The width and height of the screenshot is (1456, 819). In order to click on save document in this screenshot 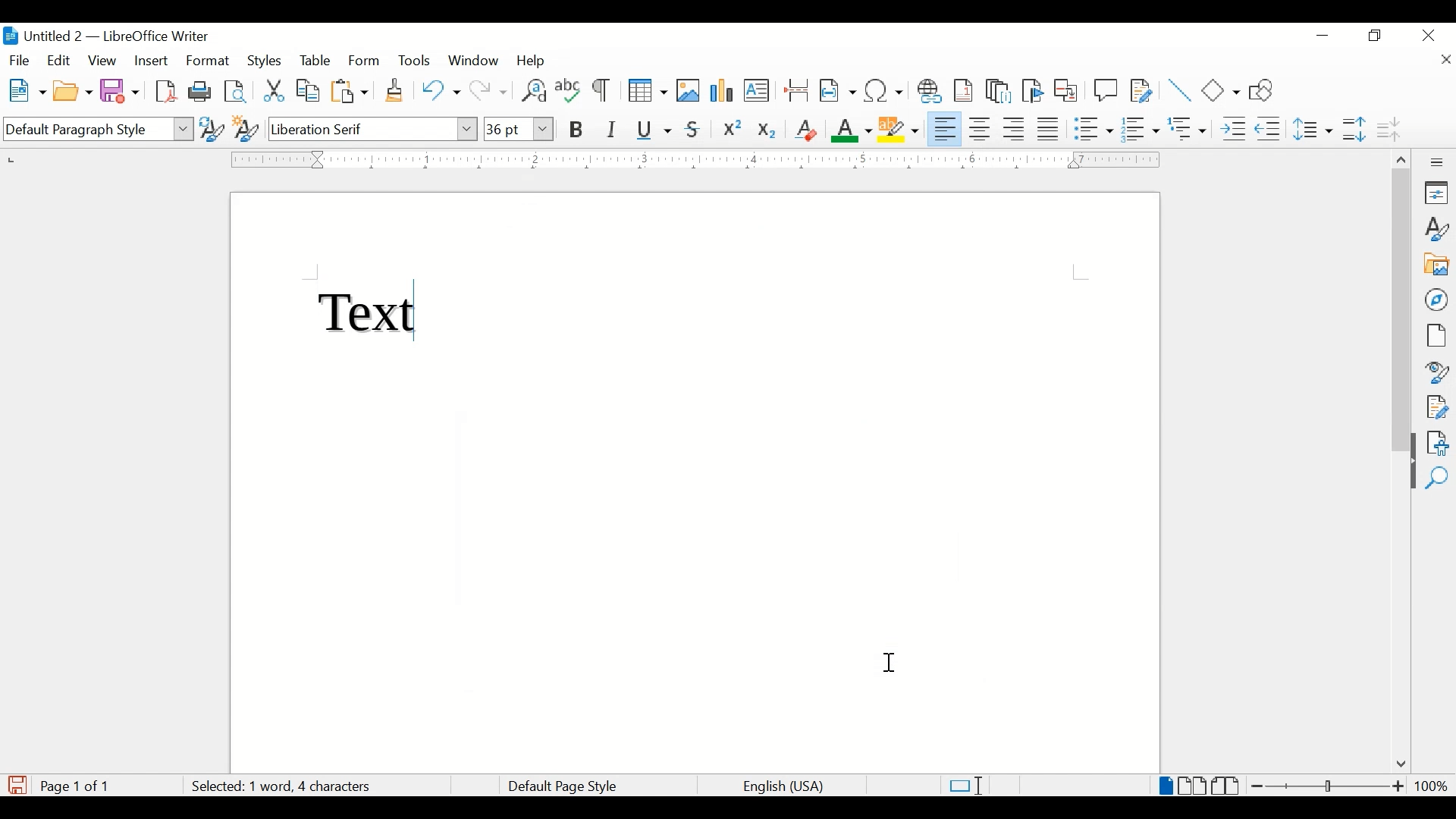, I will do `click(17, 785)`.